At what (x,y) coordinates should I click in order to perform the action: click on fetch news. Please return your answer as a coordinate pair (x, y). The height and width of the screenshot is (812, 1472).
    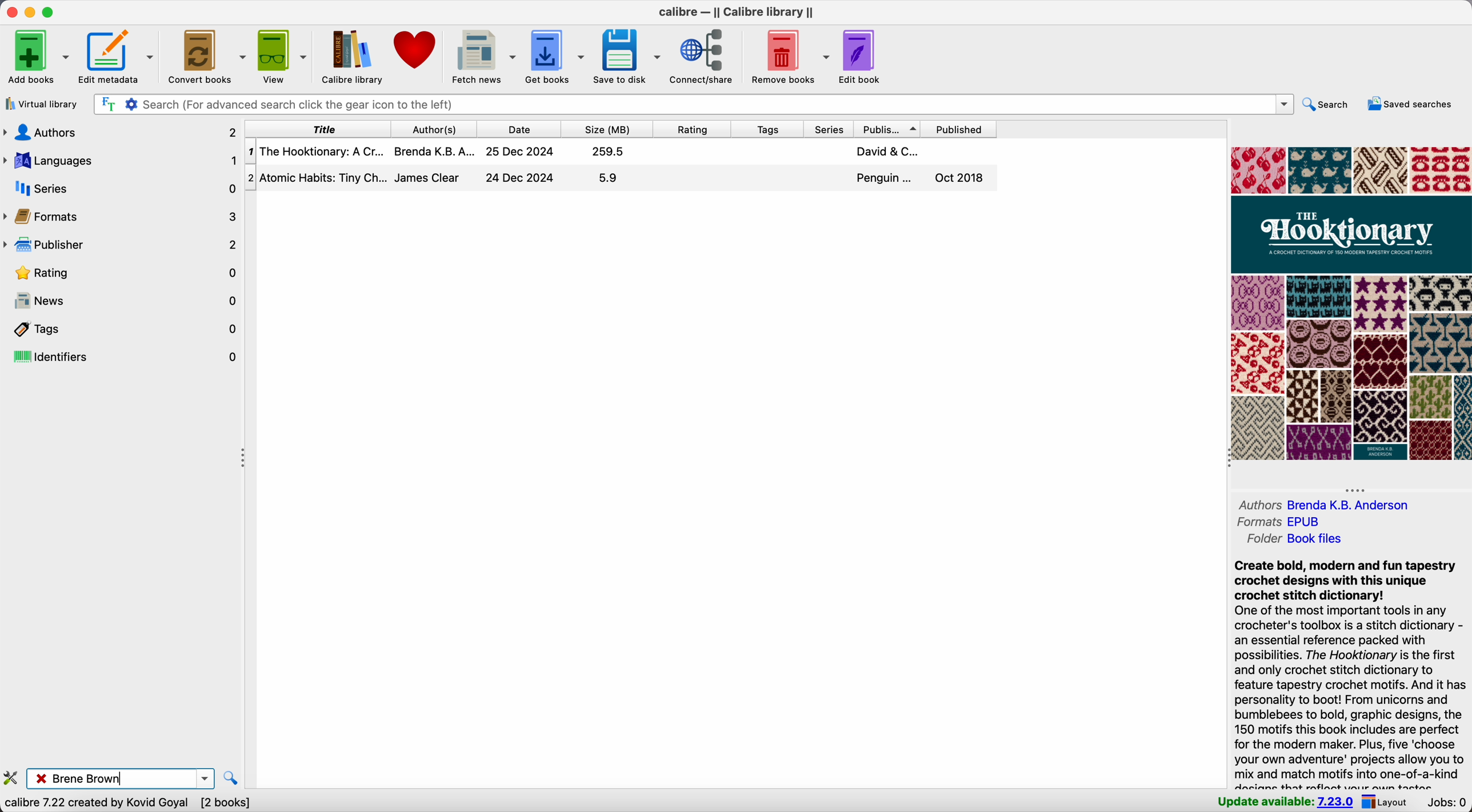
    Looking at the image, I should click on (484, 58).